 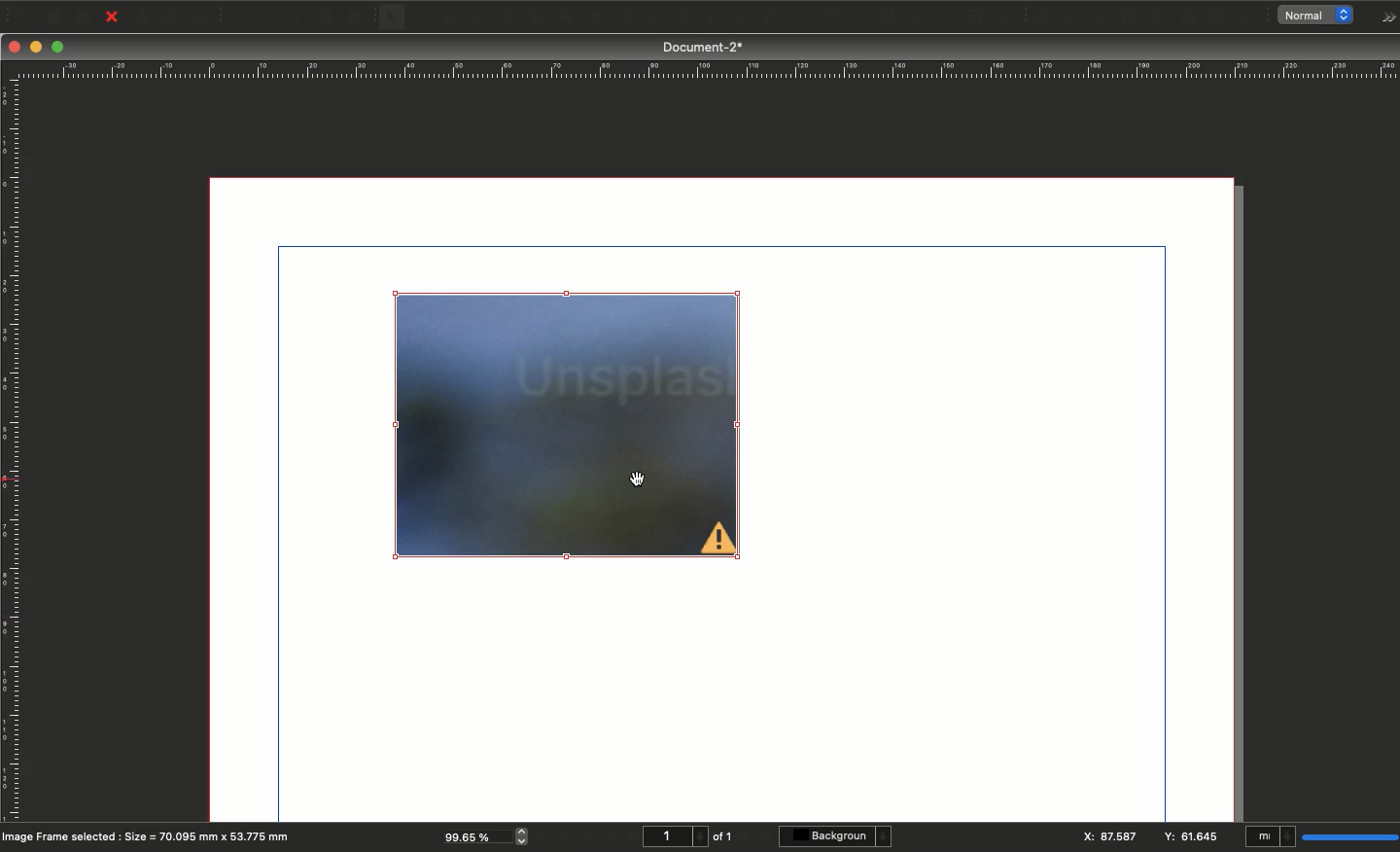 I want to click on Select item, so click(x=393, y=18).